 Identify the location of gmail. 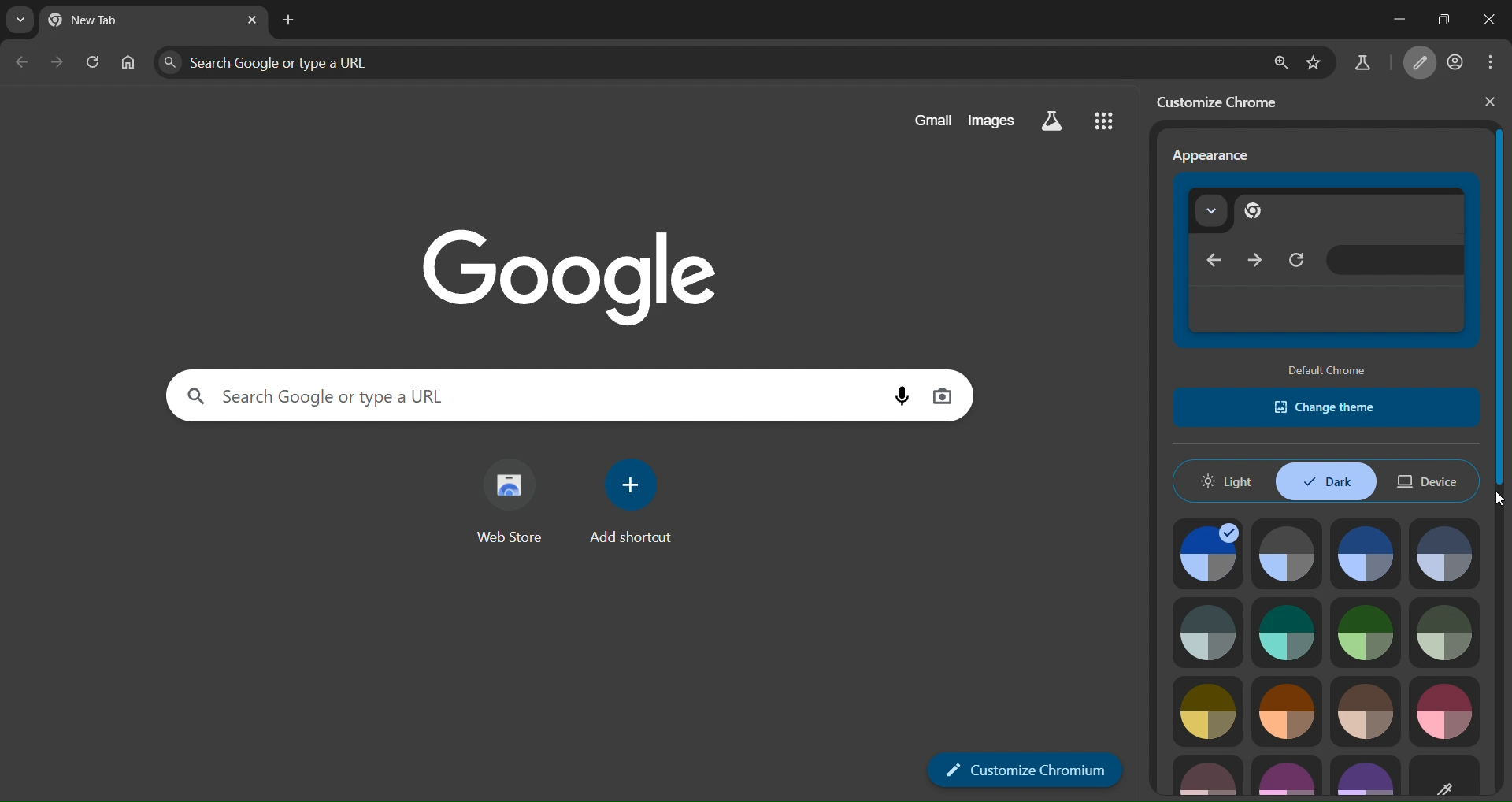
(927, 121).